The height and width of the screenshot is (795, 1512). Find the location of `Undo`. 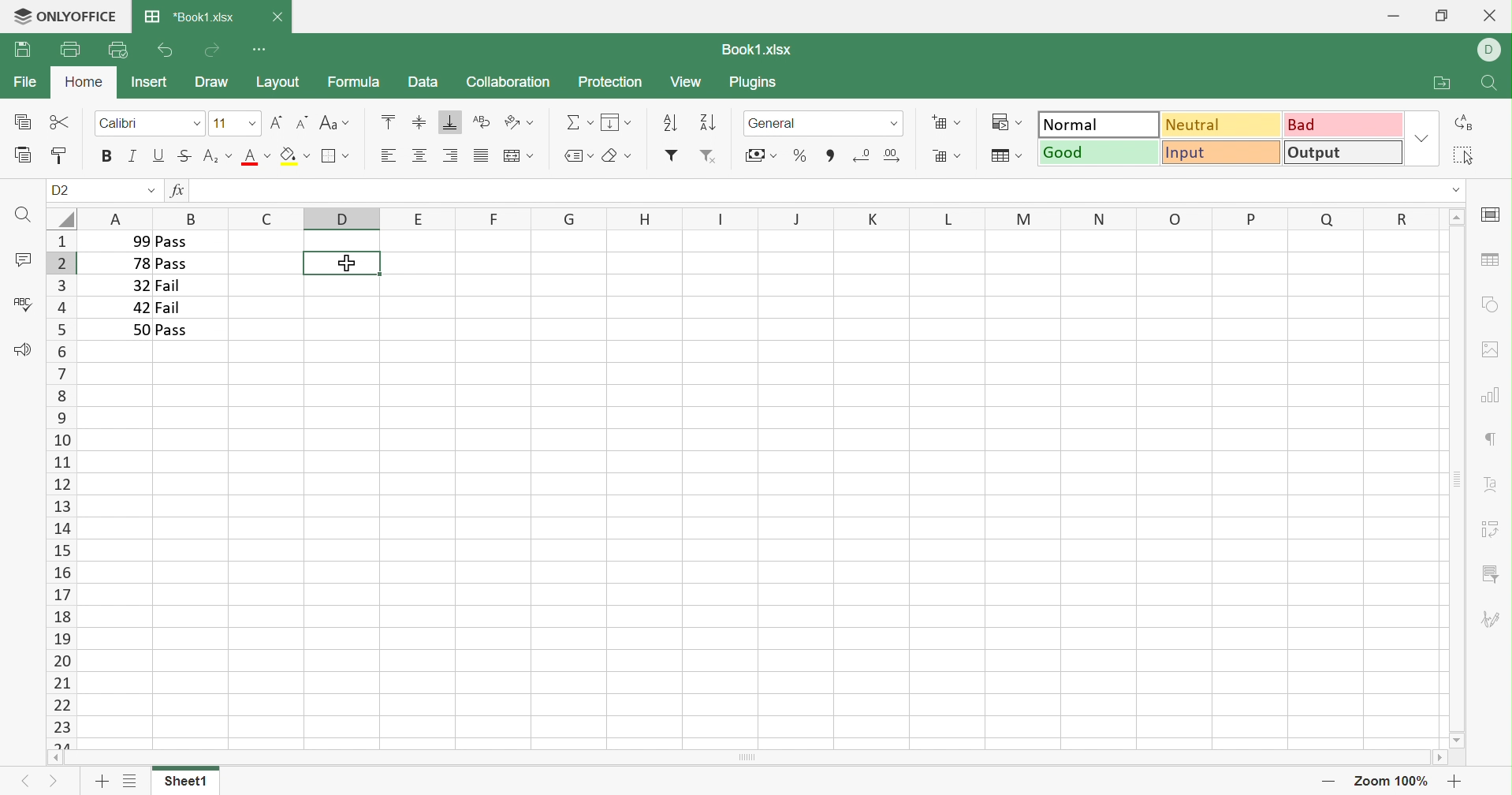

Undo is located at coordinates (164, 51).